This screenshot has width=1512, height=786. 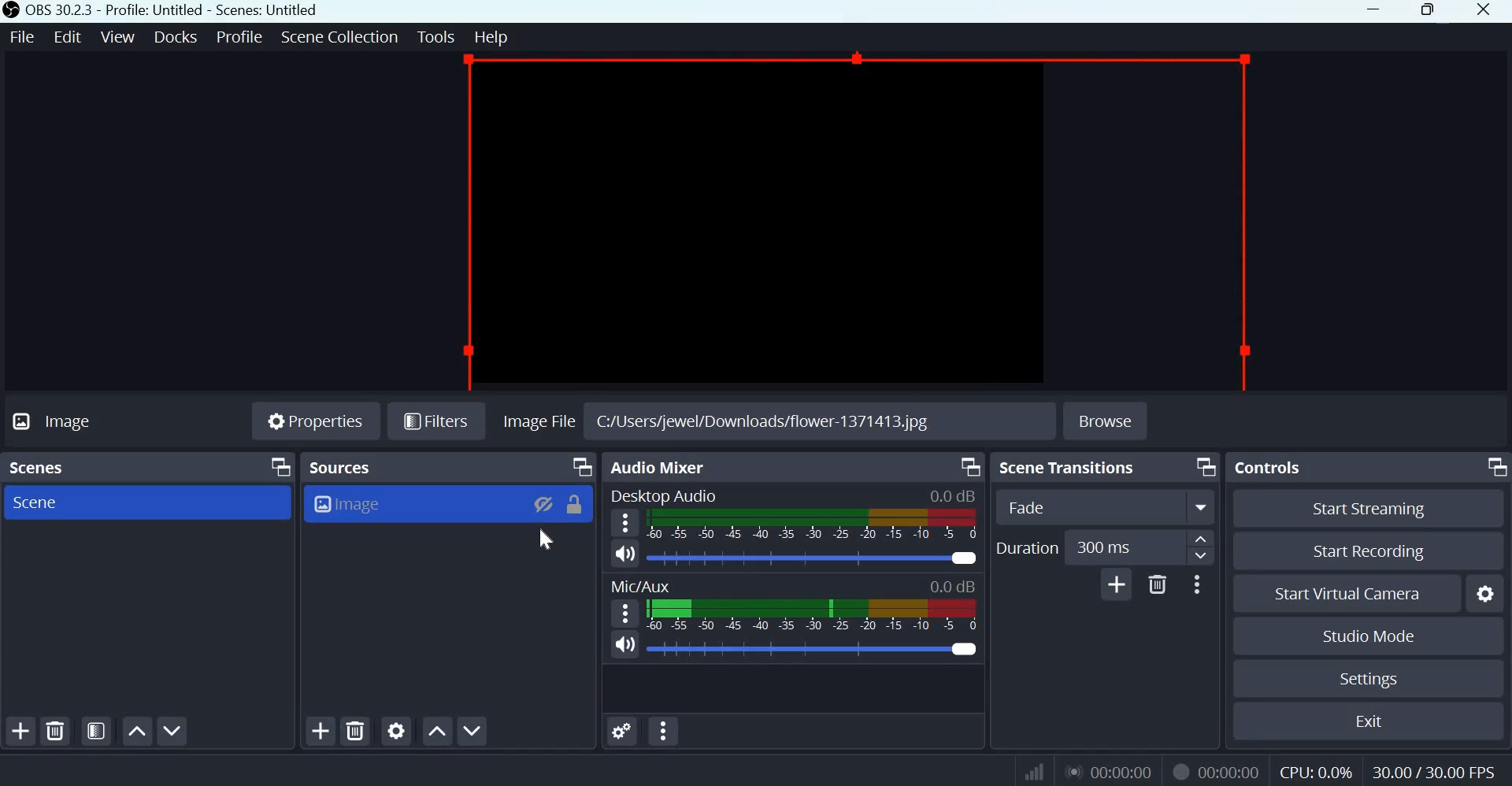 What do you see at coordinates (1368, 721) in the screenshot?
I see `Exit` at bounding box center [1368, 721].